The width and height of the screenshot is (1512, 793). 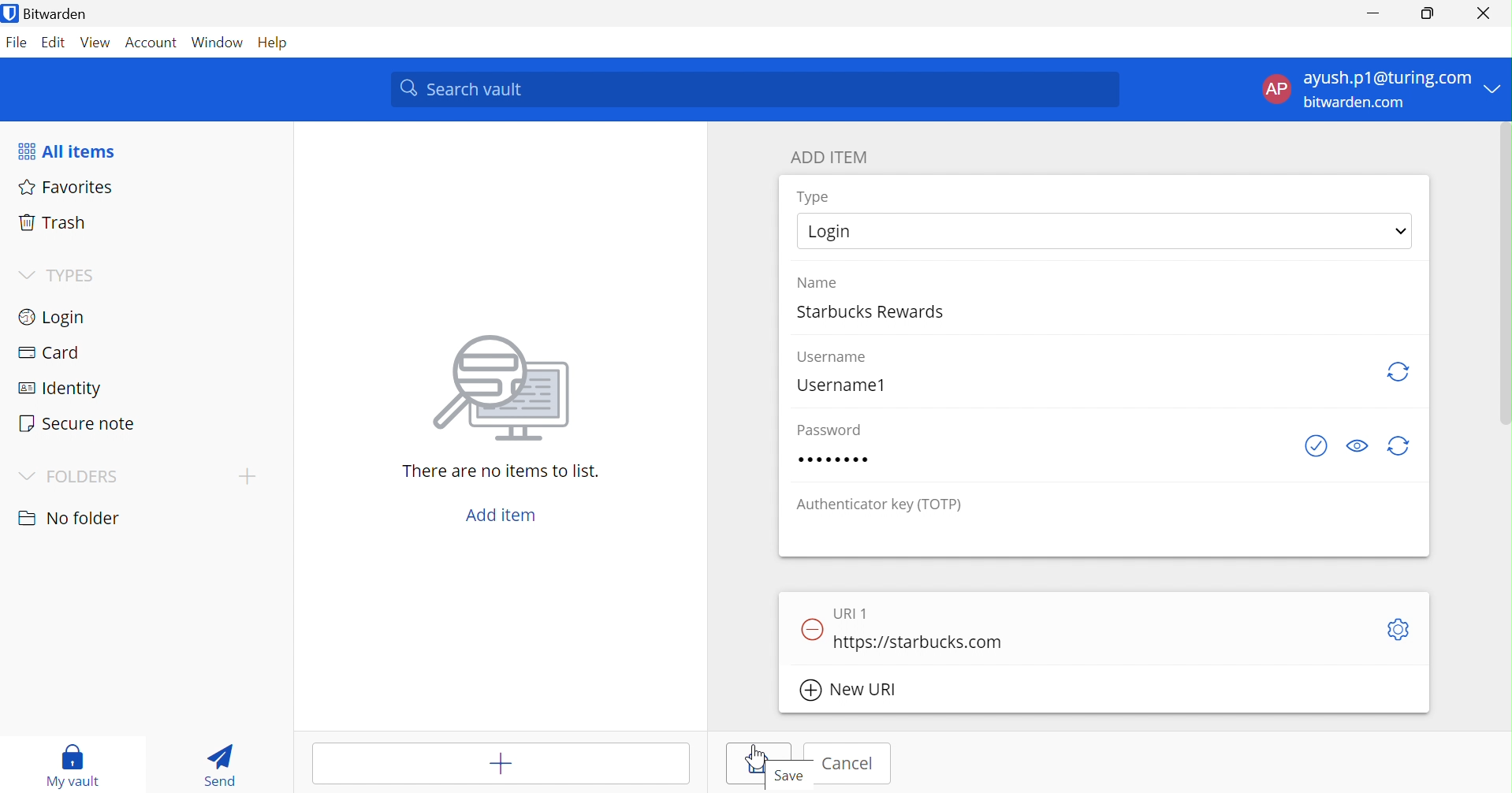 What do you see at coordinates (17, 45) in the screenshot?
I see `File` at bounding box center [17, 45].